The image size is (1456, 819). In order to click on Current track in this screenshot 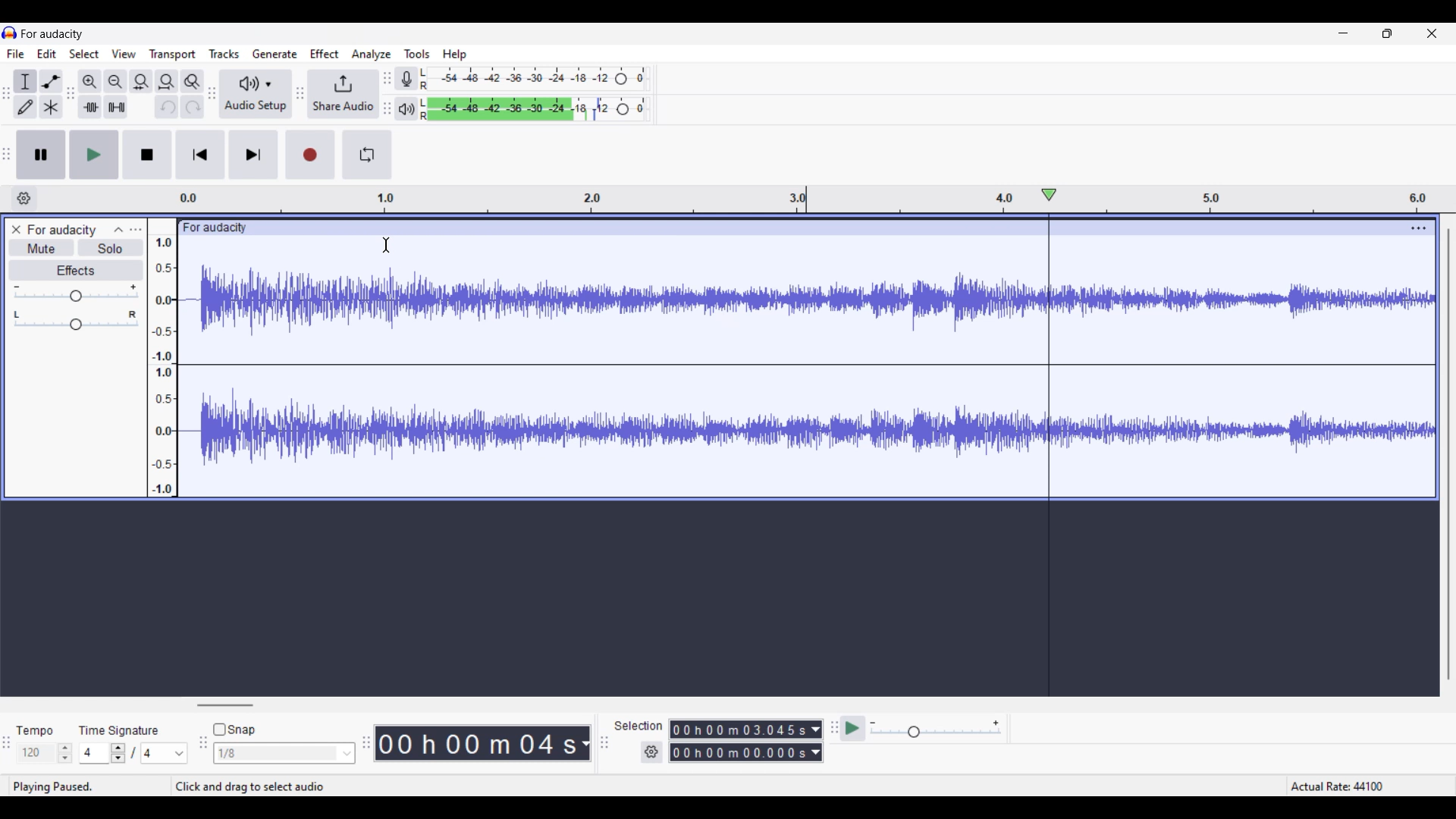, I will do `click(599, 358)`.